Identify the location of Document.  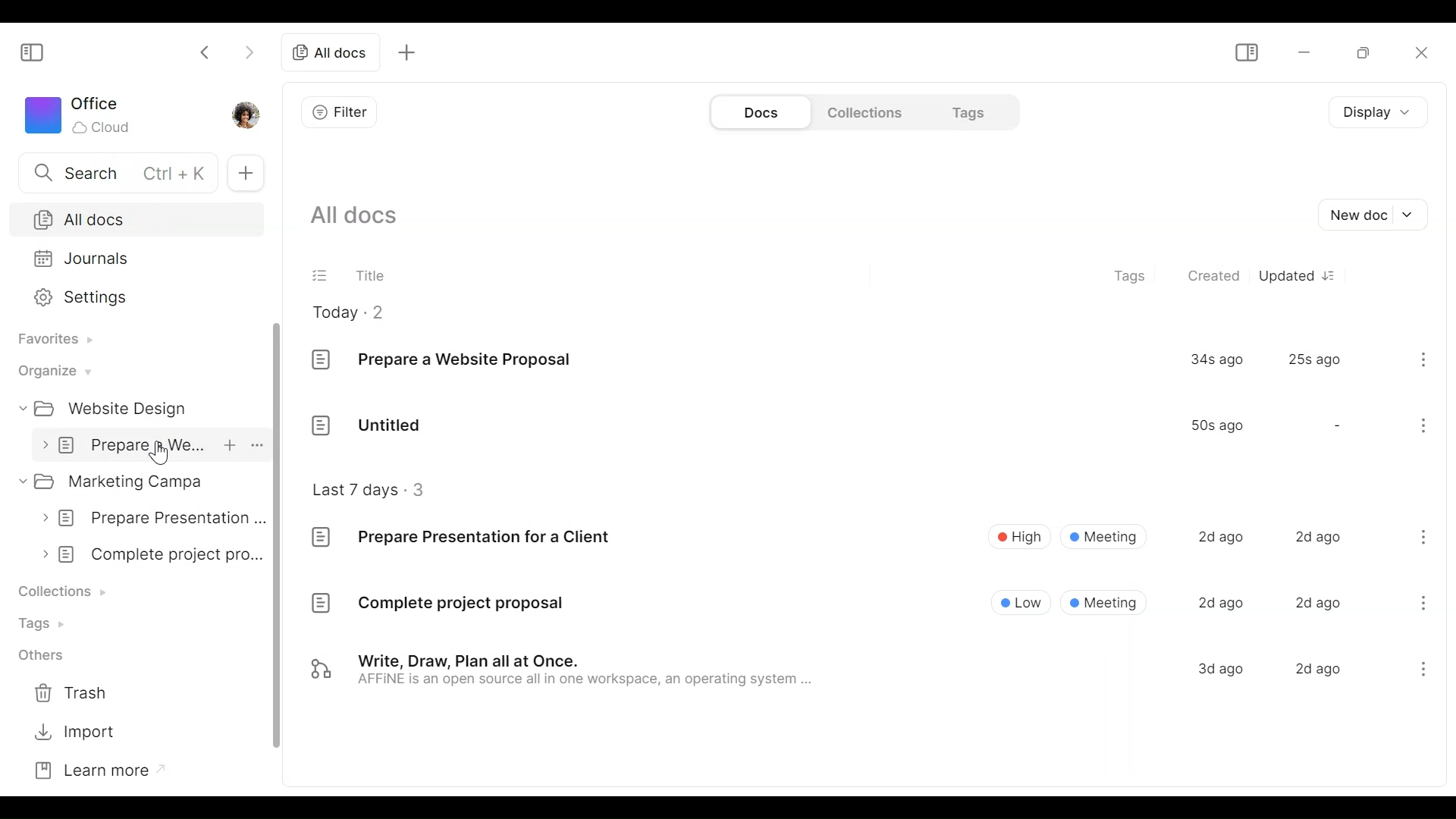
(146, 555).